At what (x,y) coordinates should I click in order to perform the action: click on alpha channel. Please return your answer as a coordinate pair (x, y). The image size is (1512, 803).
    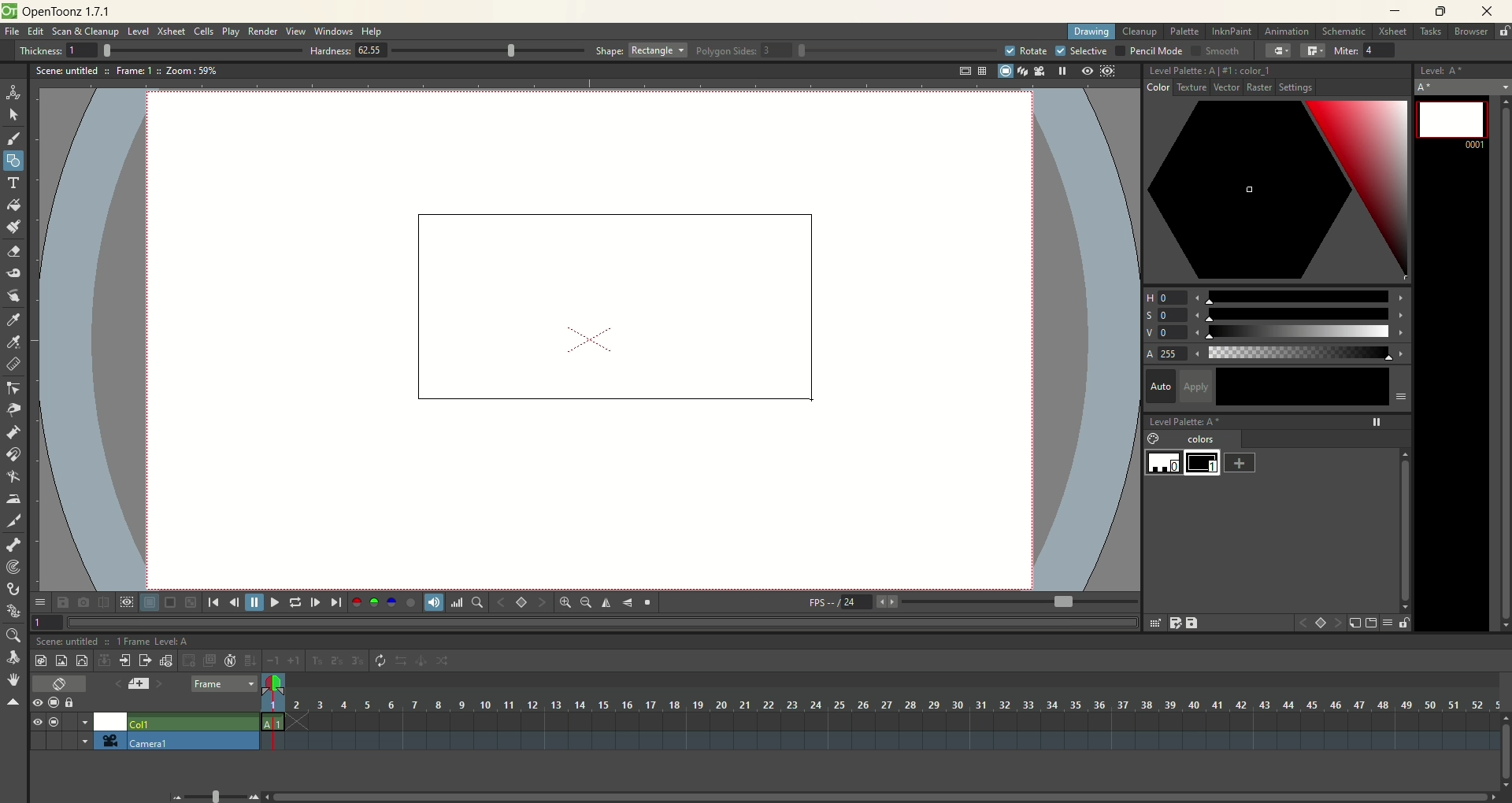
    Looking at the image, I should click on (410, 601).